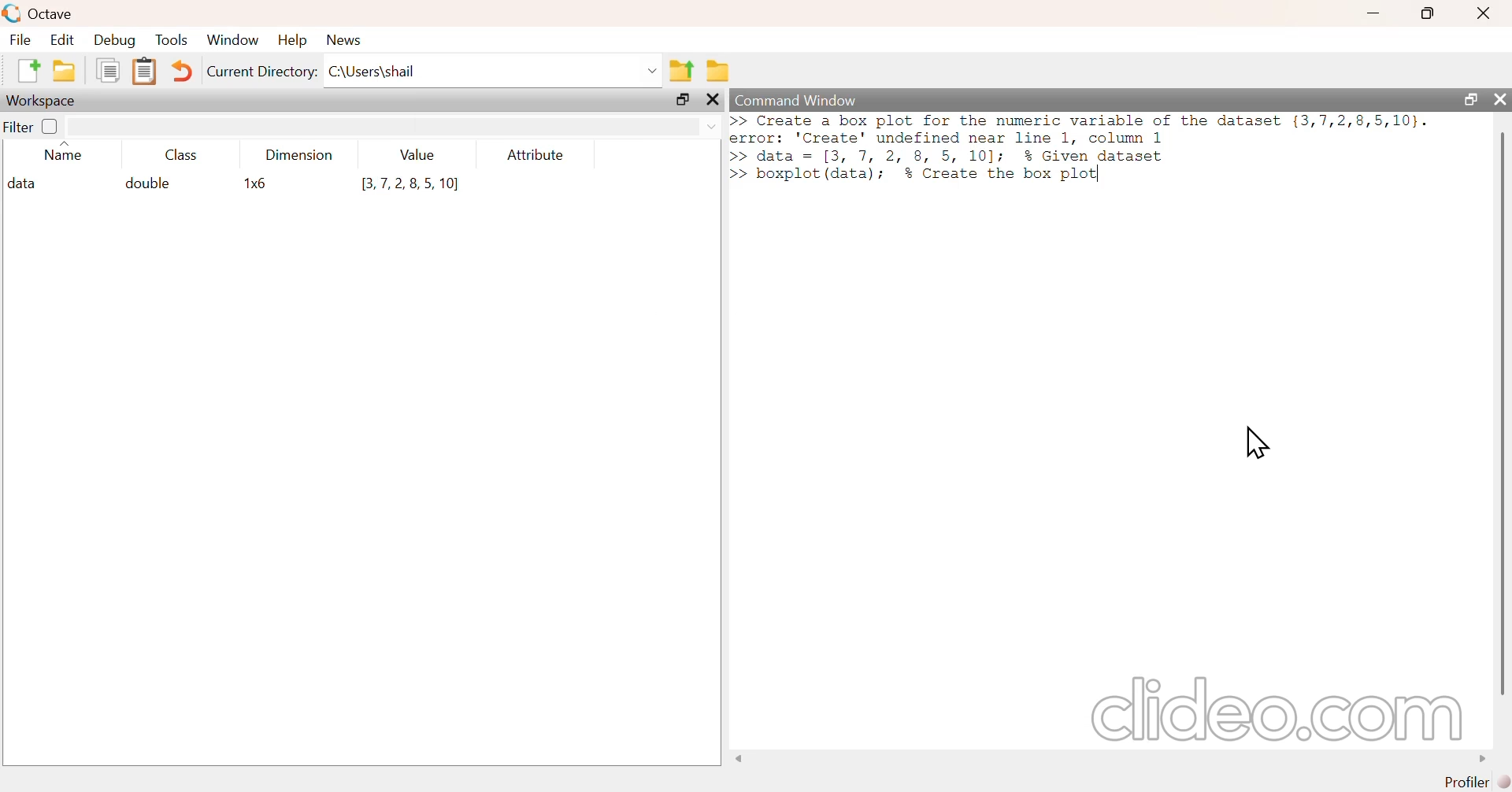  Describe the element at coordinates (345, 40) in the screenshot. I see `news` at that location.